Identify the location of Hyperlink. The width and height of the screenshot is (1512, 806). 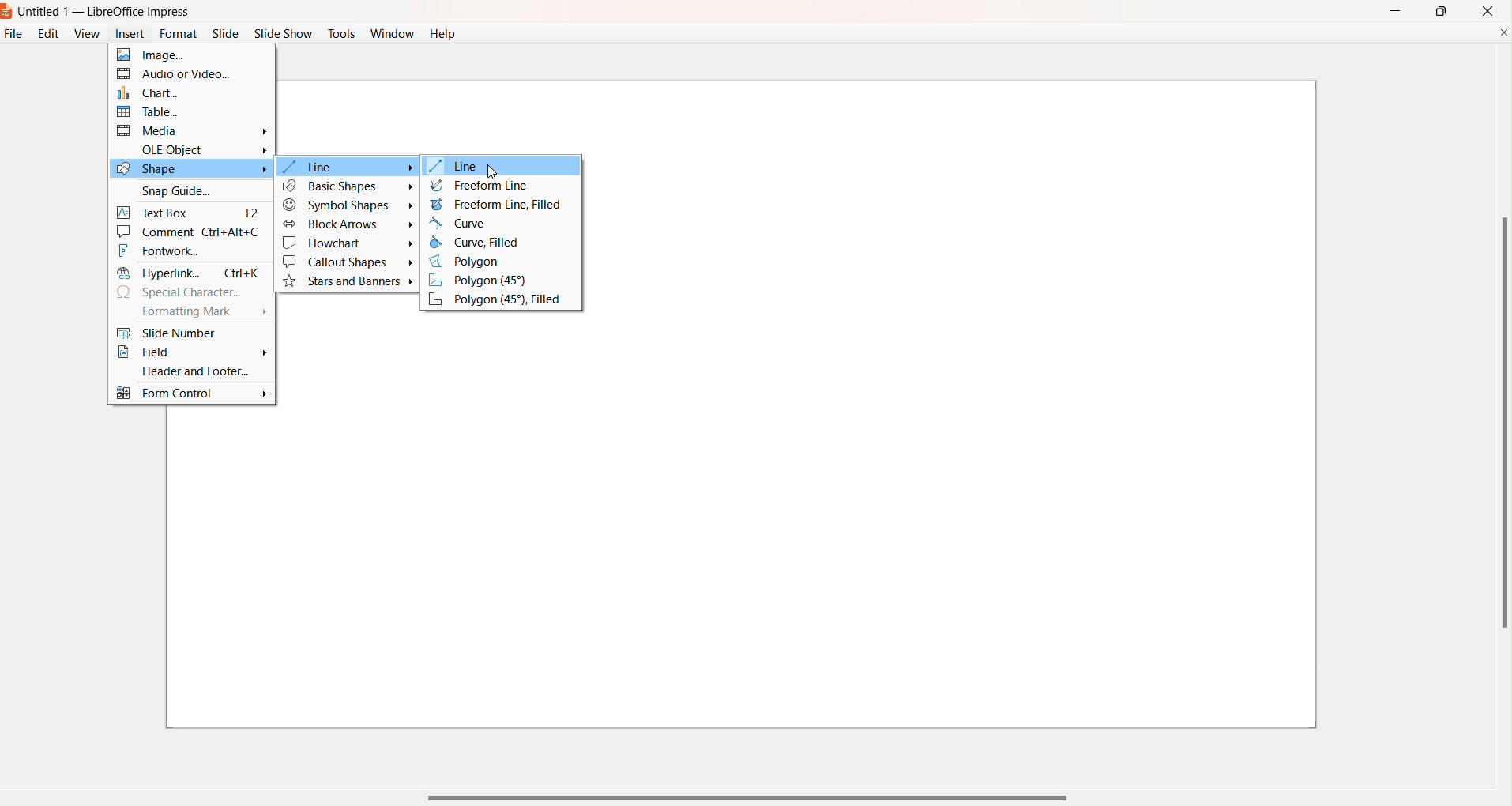
(190, 273).